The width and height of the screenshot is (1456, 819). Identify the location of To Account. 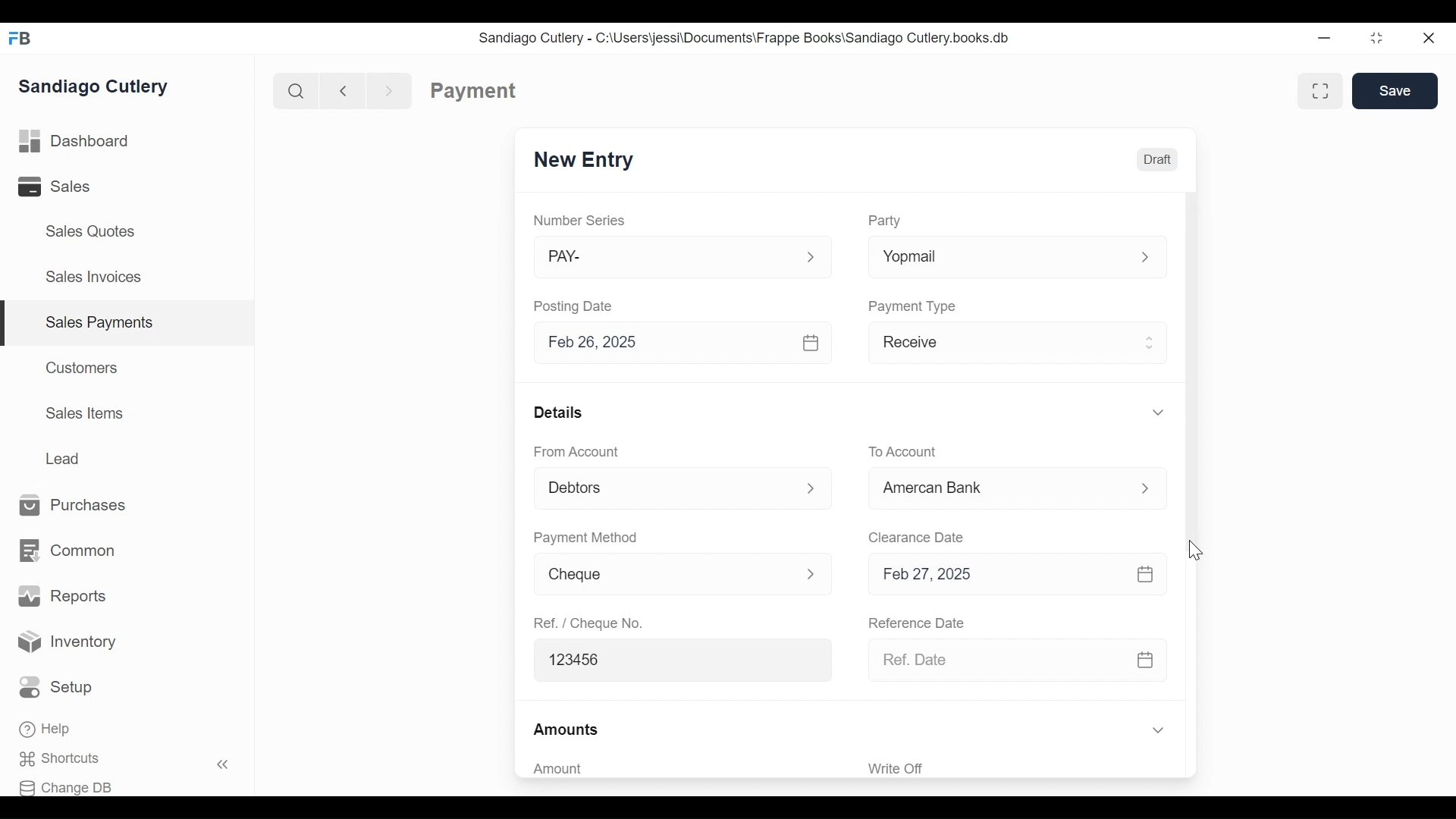
(902, 452).